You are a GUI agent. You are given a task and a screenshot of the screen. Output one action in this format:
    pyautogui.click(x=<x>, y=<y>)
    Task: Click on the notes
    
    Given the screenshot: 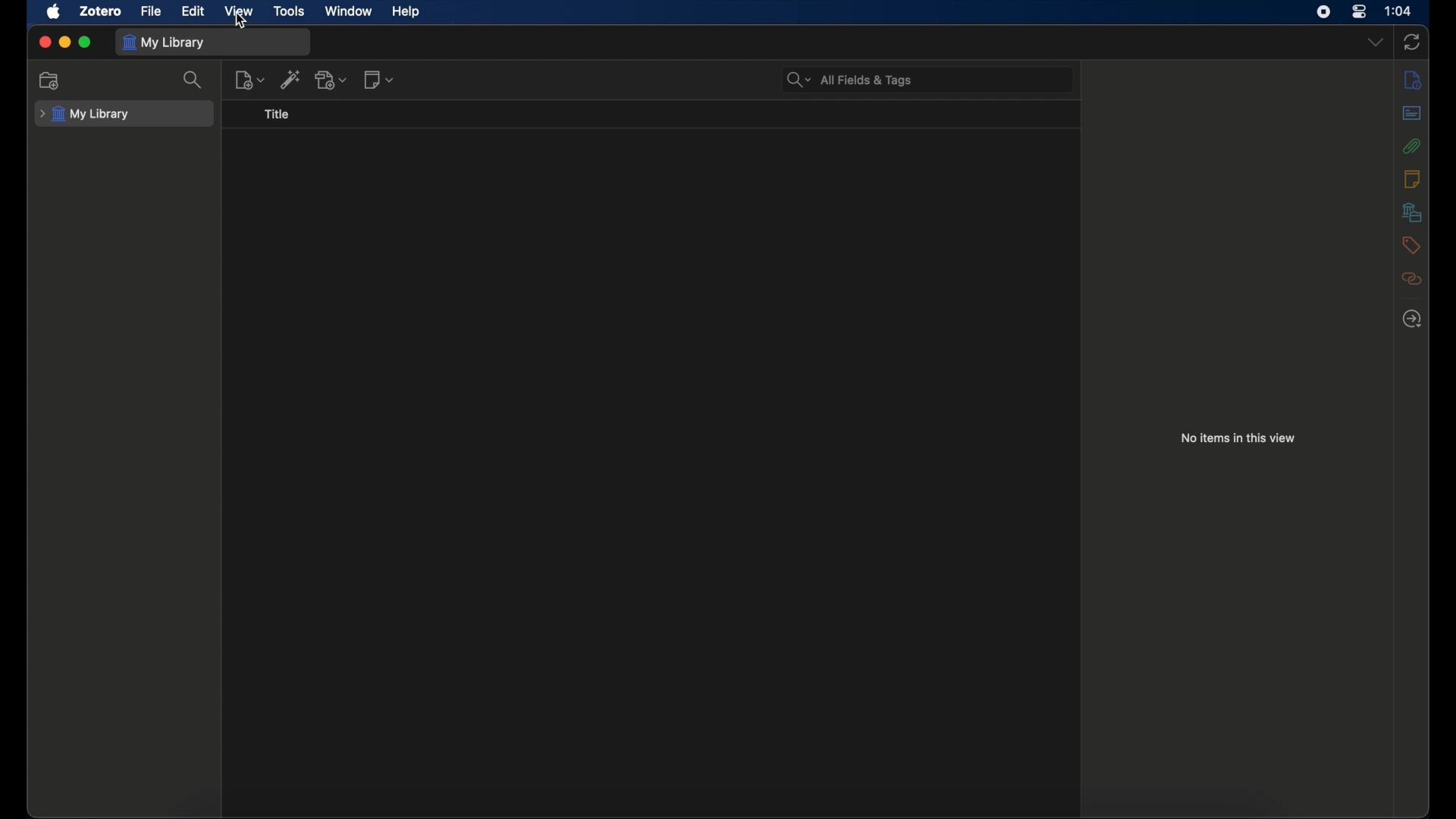 What is the action you would take?
    pyautogui.click(x=1412, y=179)
    